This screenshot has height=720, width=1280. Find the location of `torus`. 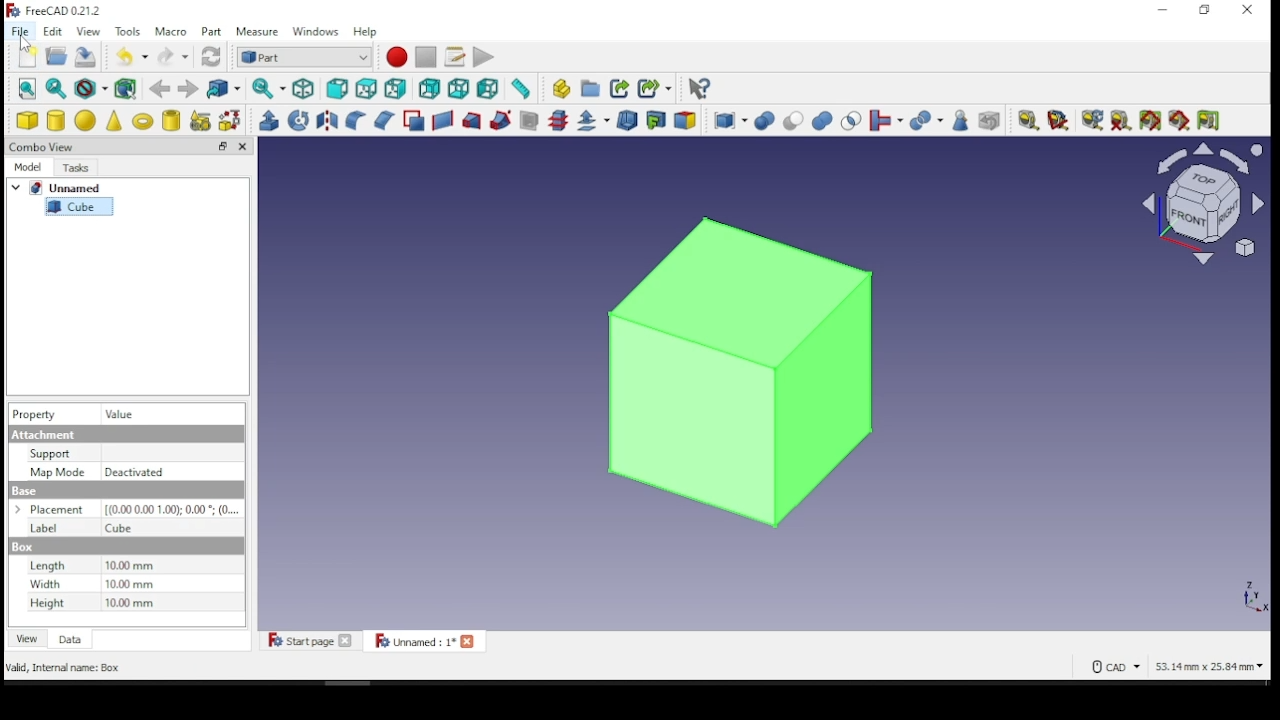

torus is located at coordinates (143, 119).